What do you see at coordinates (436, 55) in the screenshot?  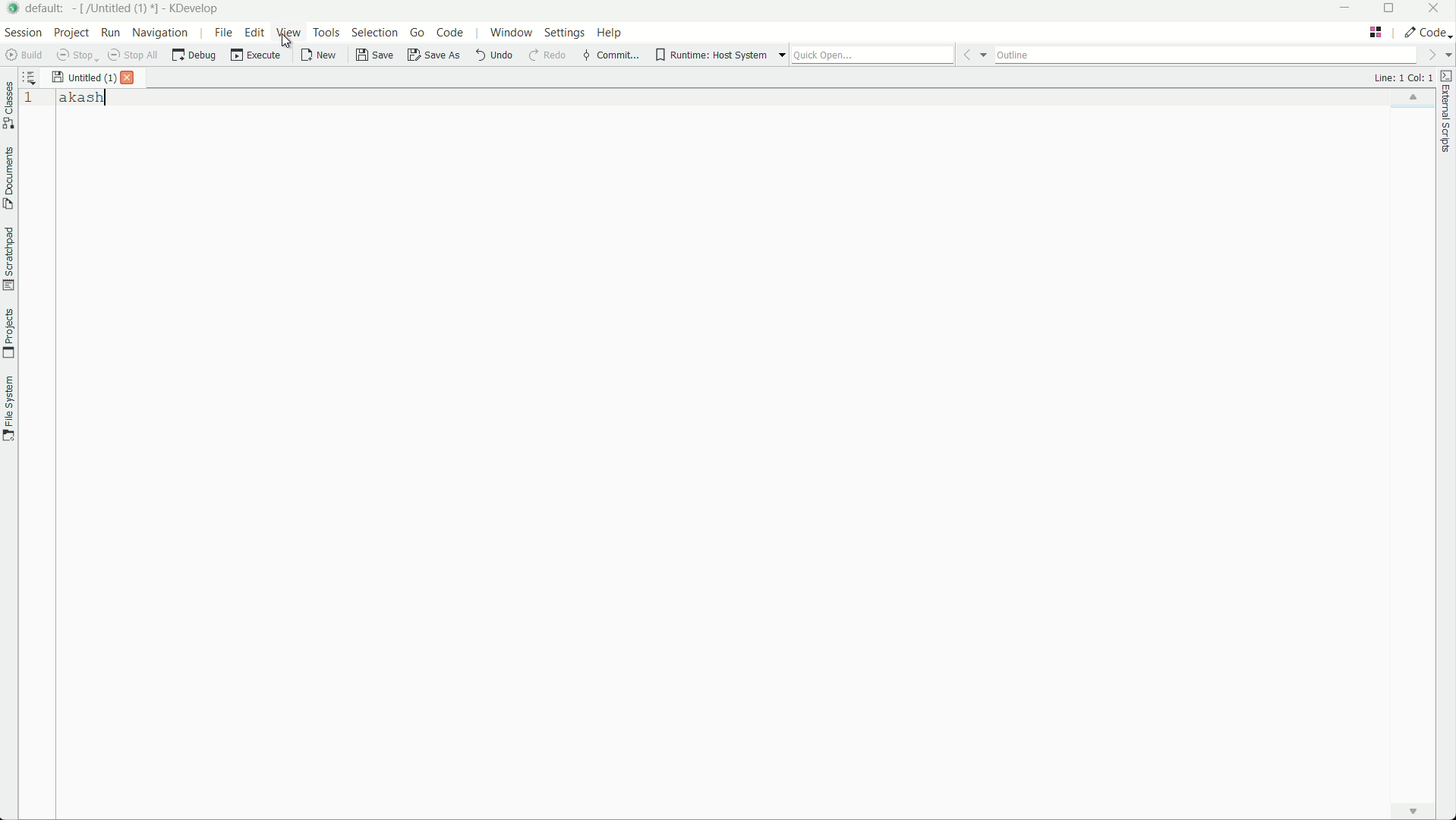 I see `save as` at bounding box center [436, 55].